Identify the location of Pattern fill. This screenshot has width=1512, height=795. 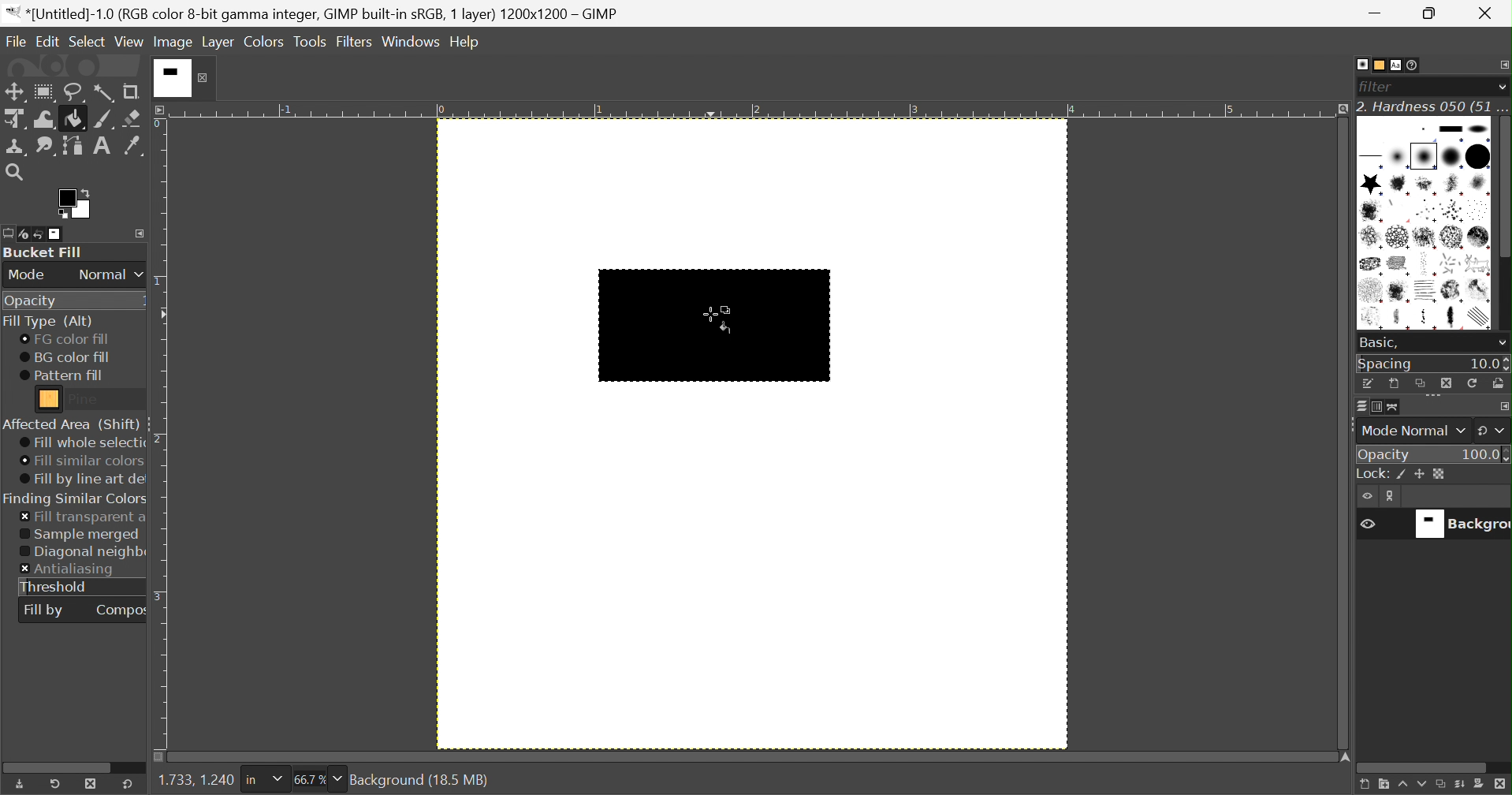
(61, 375).